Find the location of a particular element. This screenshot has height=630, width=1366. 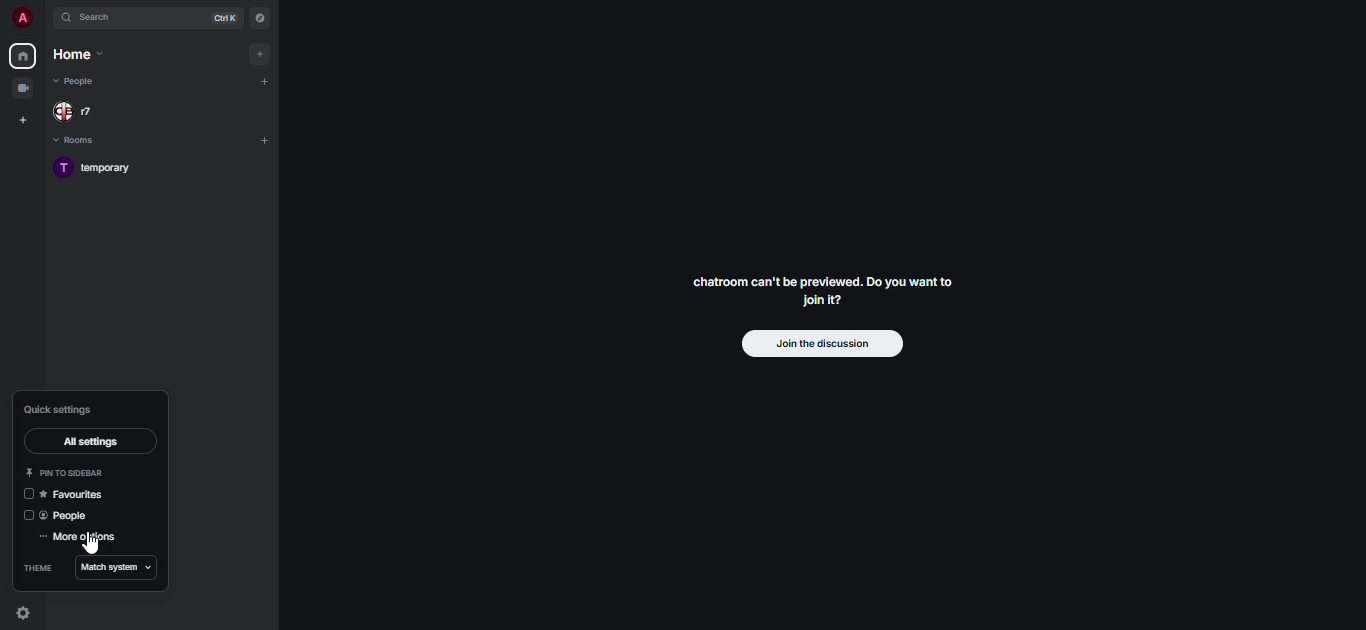

temporary is located at coordinates (97, 167).